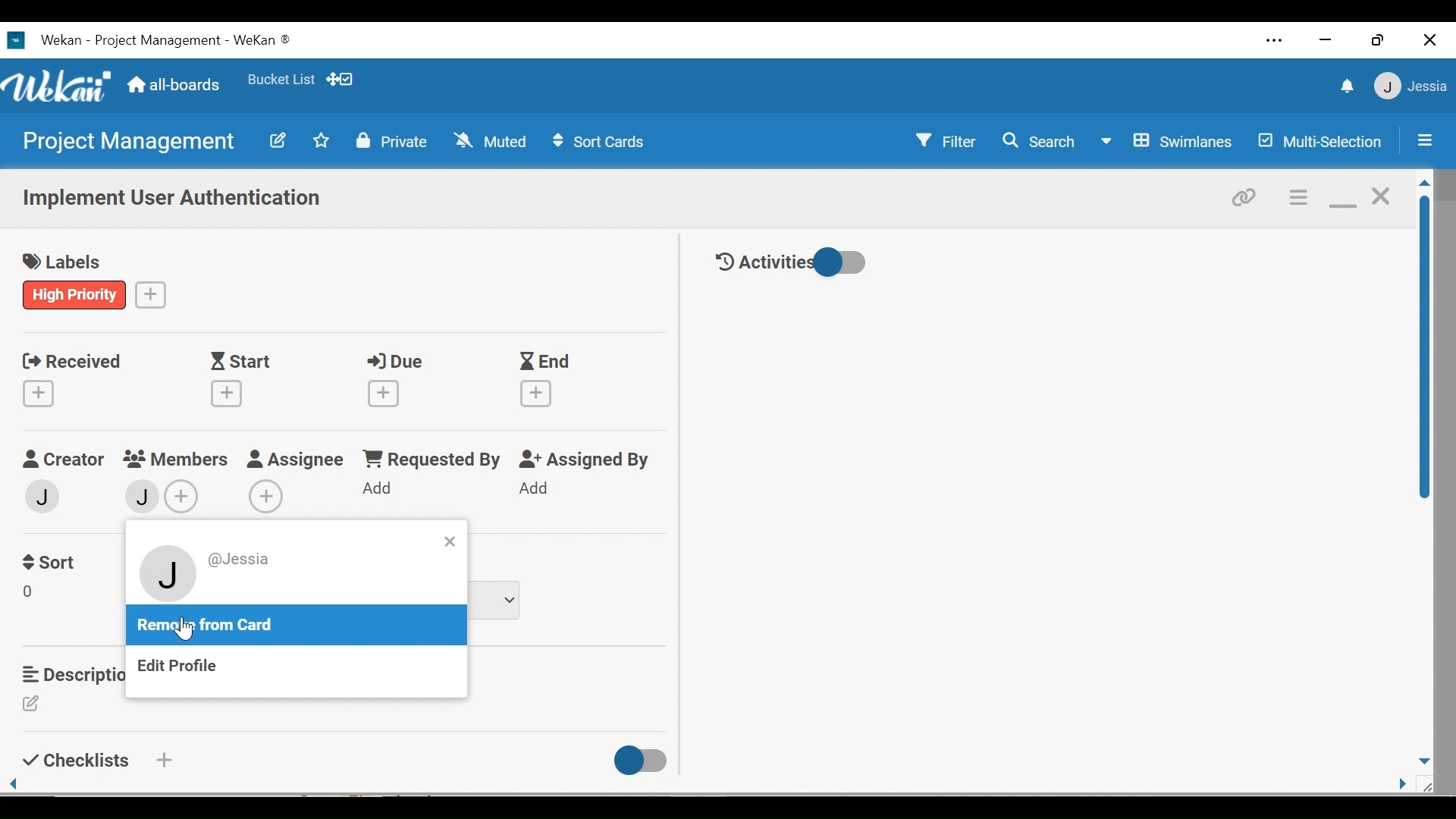 This screenshot has width=1456, height=819. What do you see at coordinates (1423, 184) in the screenshot?
I see `move up` at bounding box center [1423, 184].